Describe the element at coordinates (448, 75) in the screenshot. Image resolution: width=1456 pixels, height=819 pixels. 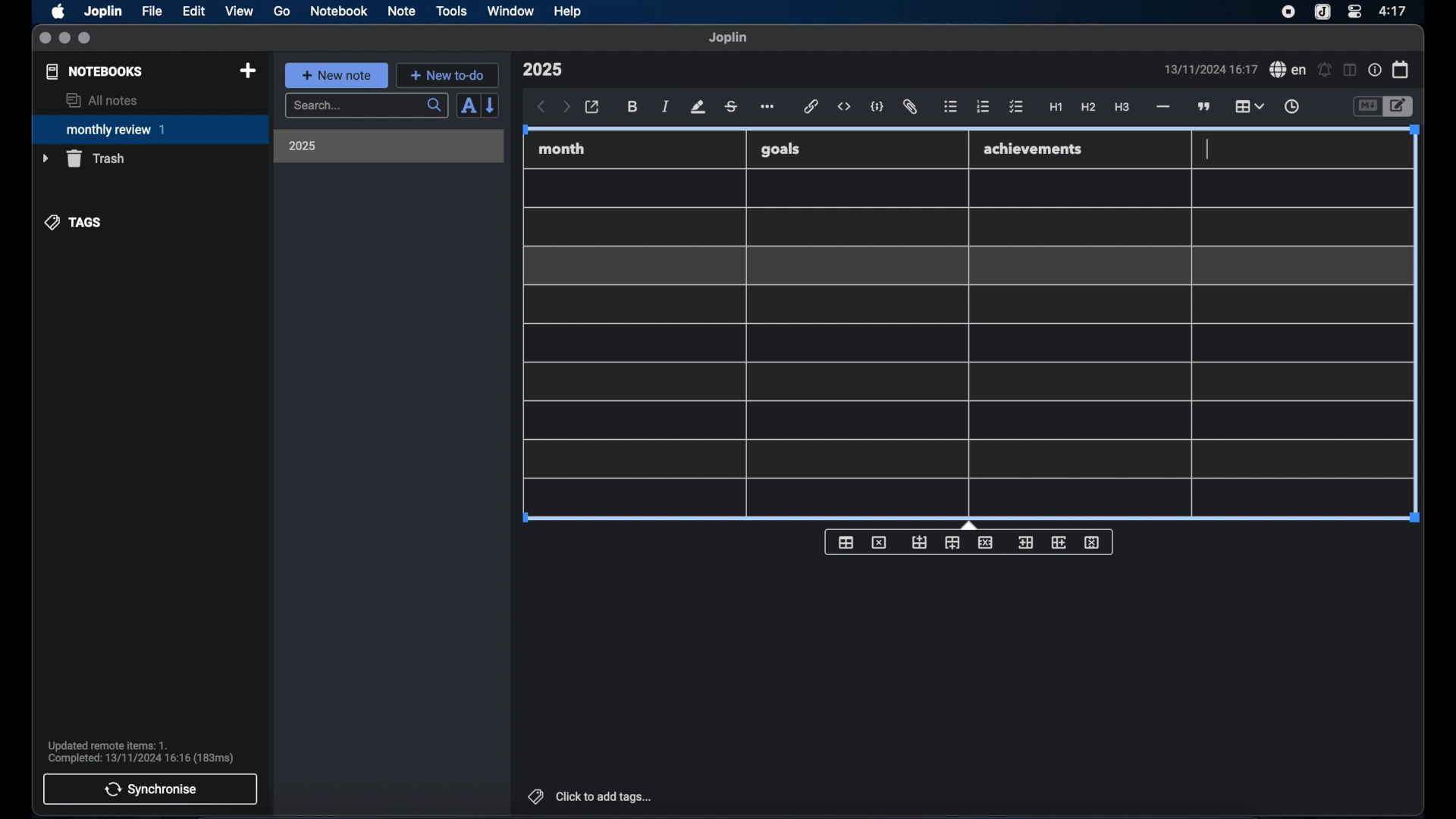
I see `new to-do` at that location.